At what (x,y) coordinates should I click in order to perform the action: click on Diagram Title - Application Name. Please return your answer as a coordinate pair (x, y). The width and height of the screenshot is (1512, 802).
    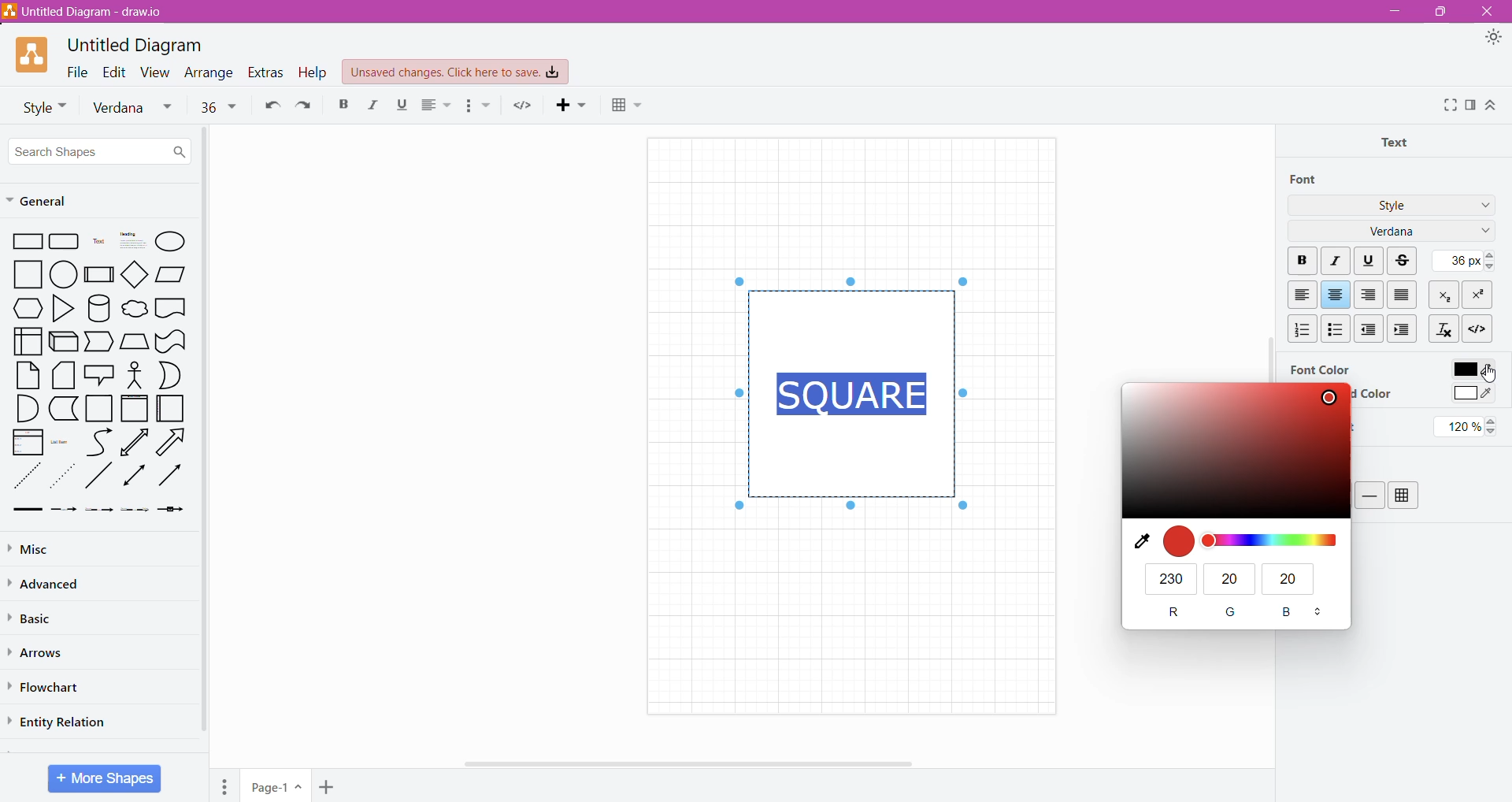
    Looking at the image, I should click on (91, 12).